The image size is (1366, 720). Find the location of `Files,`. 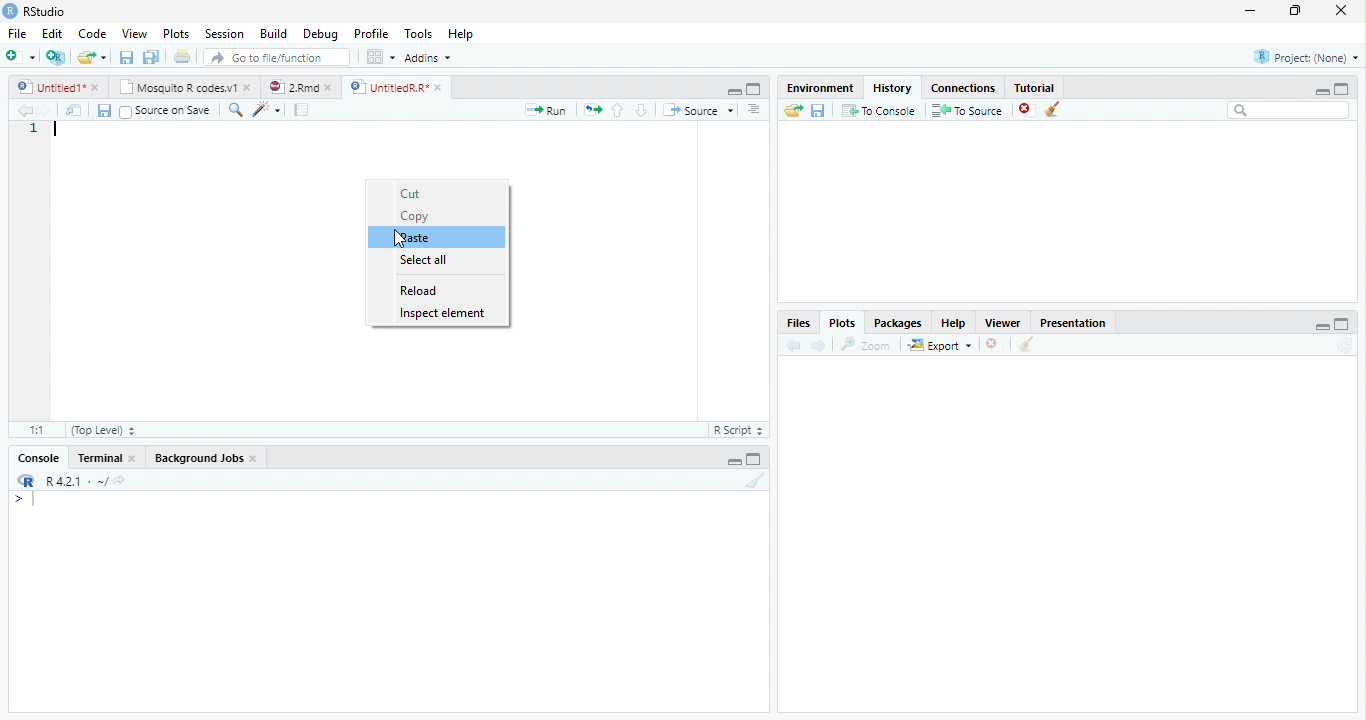

Files, is located at coordinates (795, 323).